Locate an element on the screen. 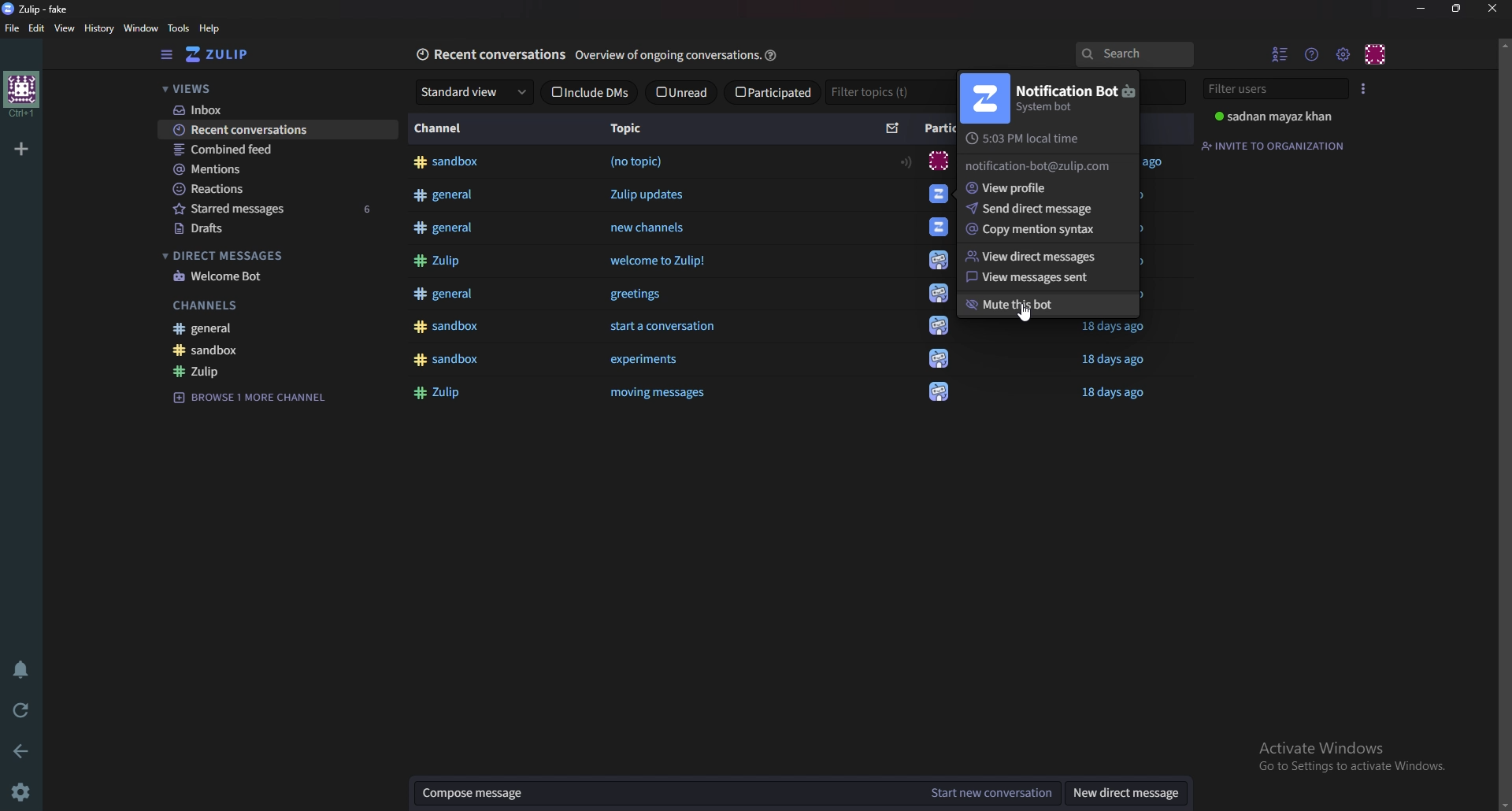 This screenshot has width=1512, height=811. greetings is located at coordinates (636, 298).